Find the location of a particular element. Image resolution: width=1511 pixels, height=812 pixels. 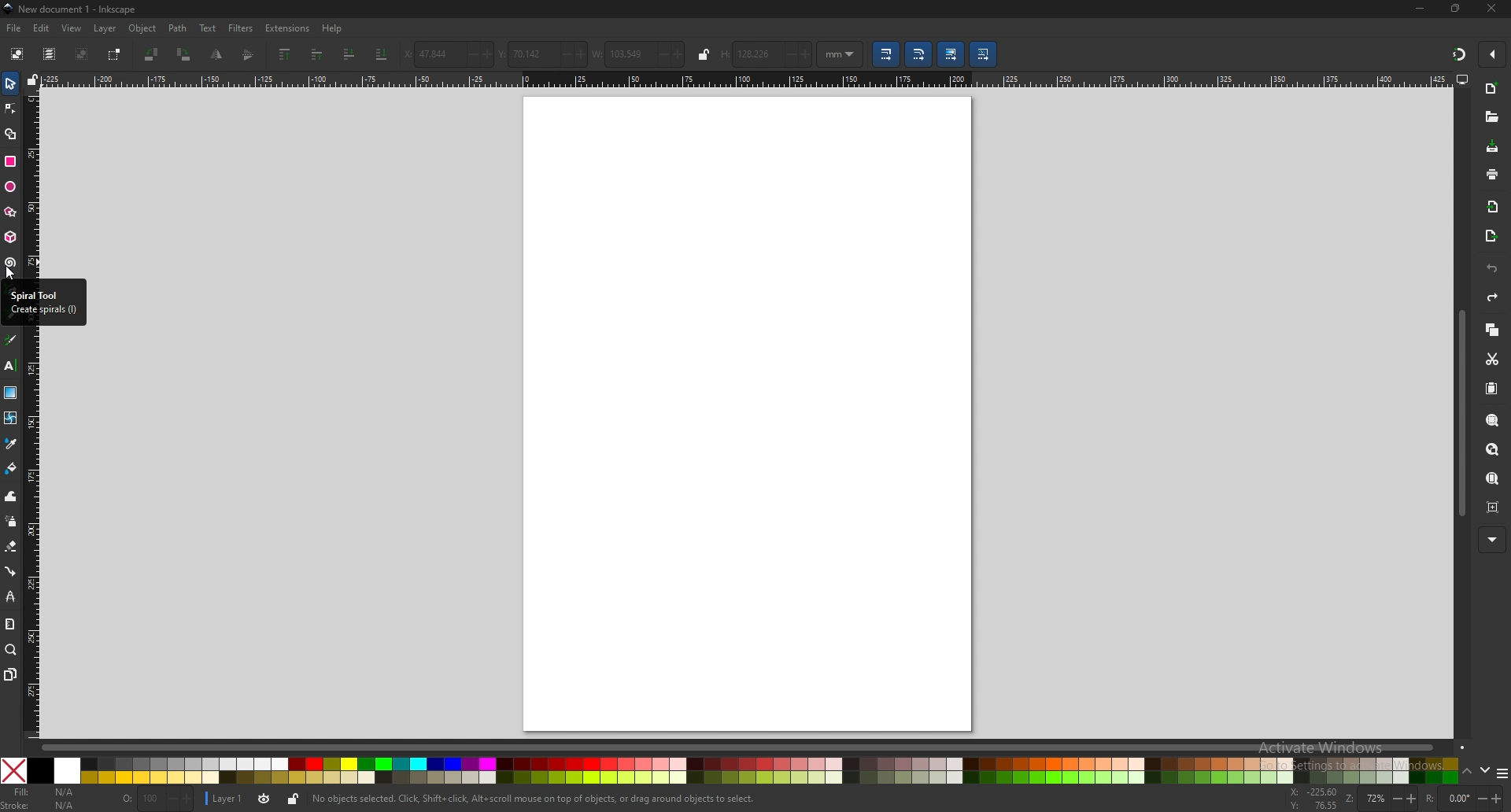

scroll bar is located at coordinates (752, 747).